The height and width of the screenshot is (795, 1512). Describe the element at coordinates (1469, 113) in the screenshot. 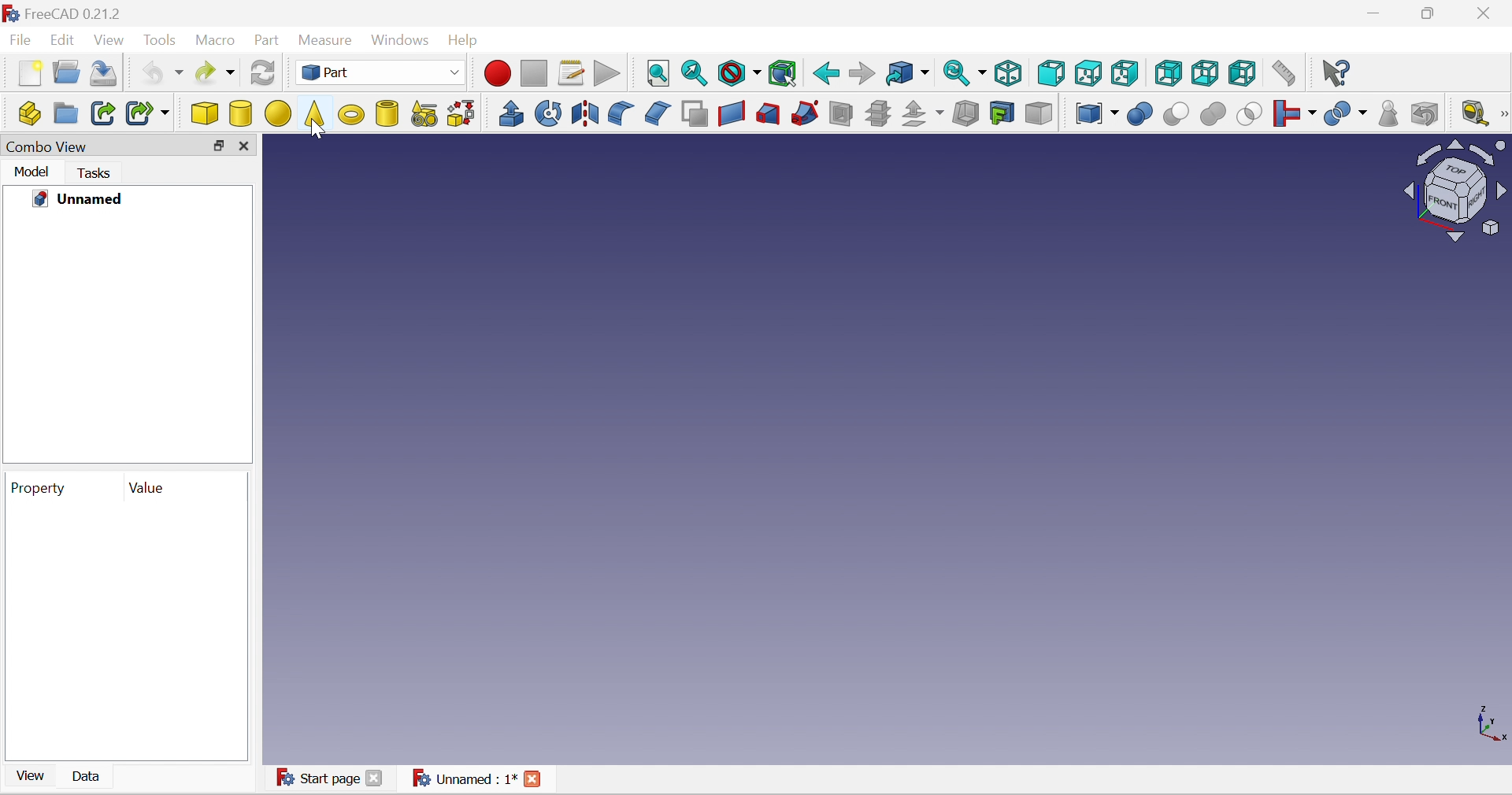

I see `Measure liner` at that location.